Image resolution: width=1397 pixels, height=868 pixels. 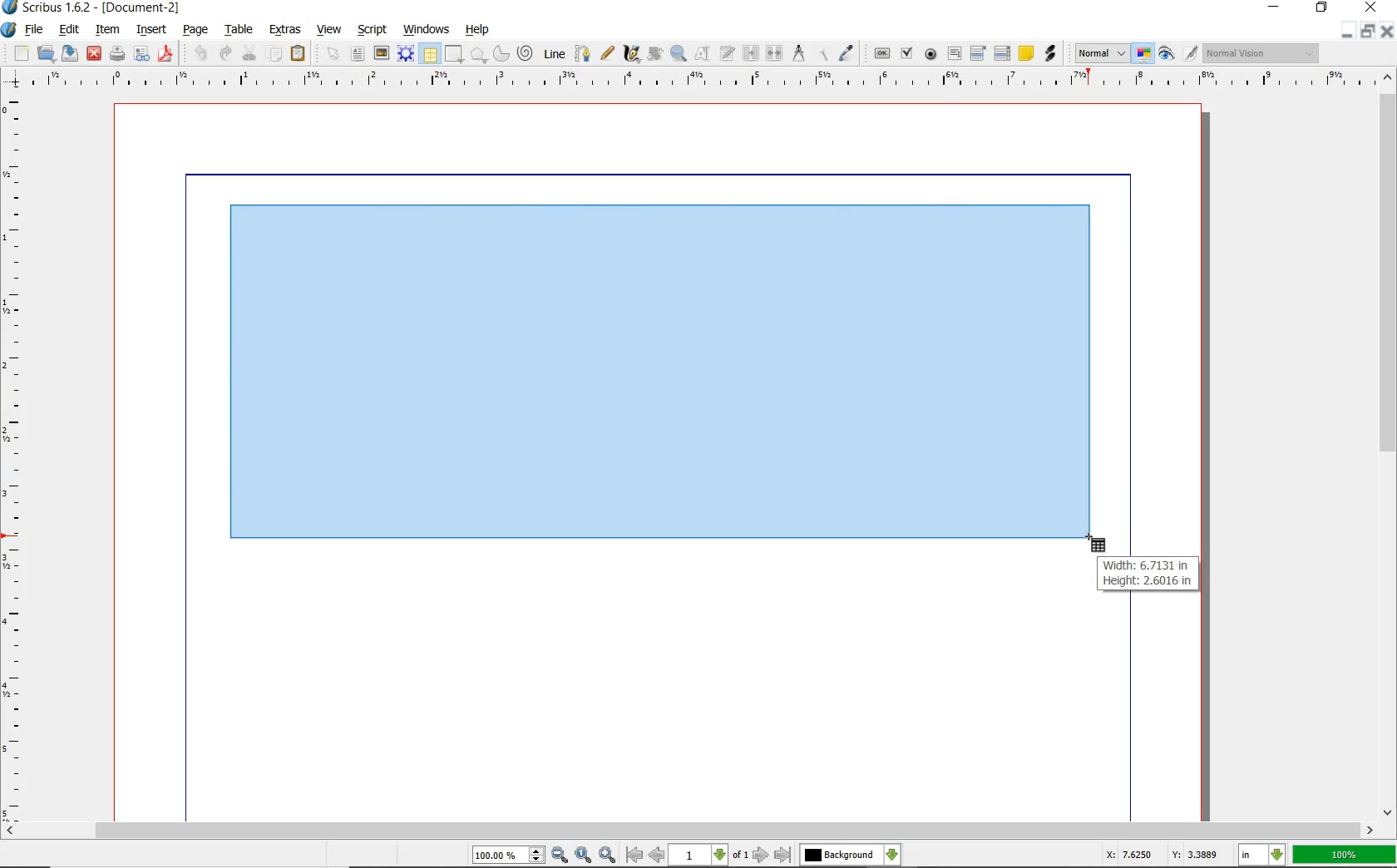 What do you see at coordinates (799, 54) in the screenshot?
I see `measurements` at bounding box center [799, 54].